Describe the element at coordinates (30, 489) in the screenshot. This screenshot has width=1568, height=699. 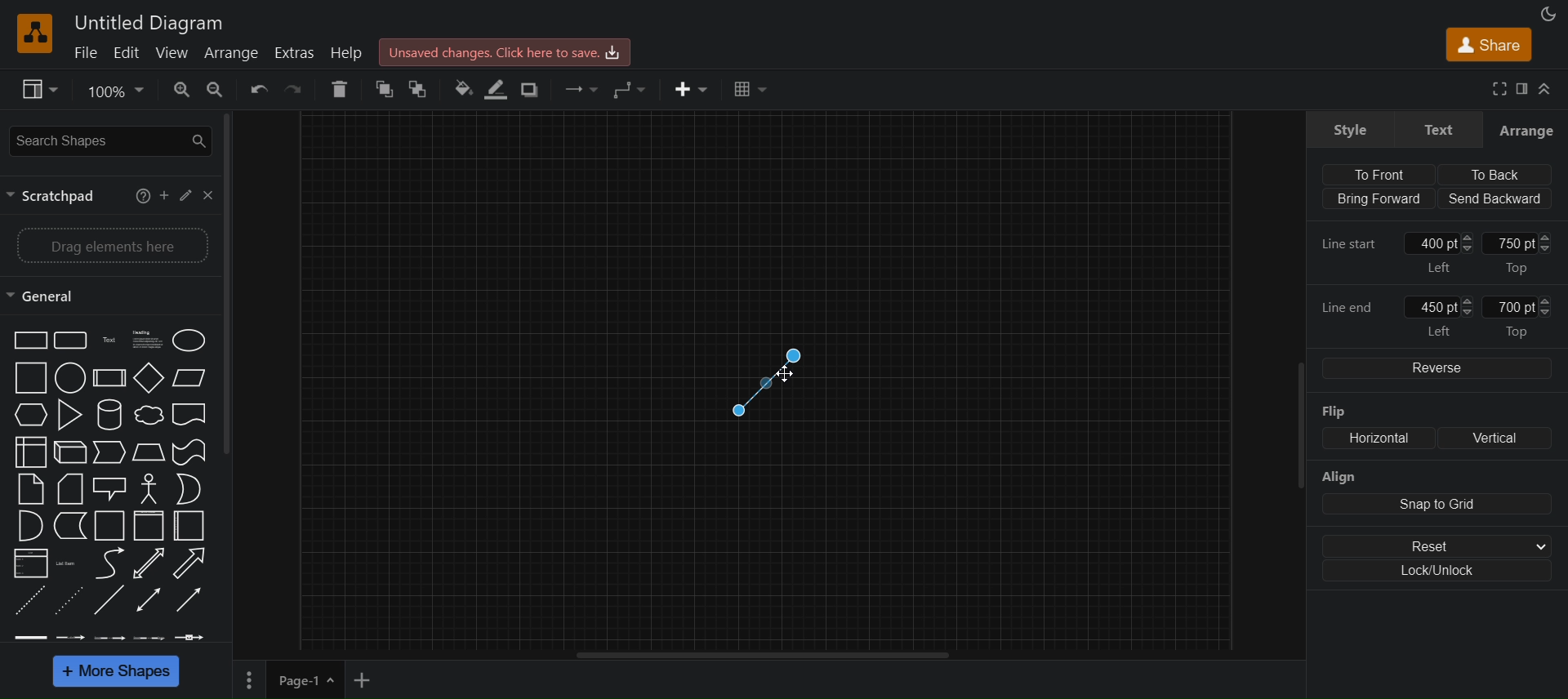
I see `Note` at that location.